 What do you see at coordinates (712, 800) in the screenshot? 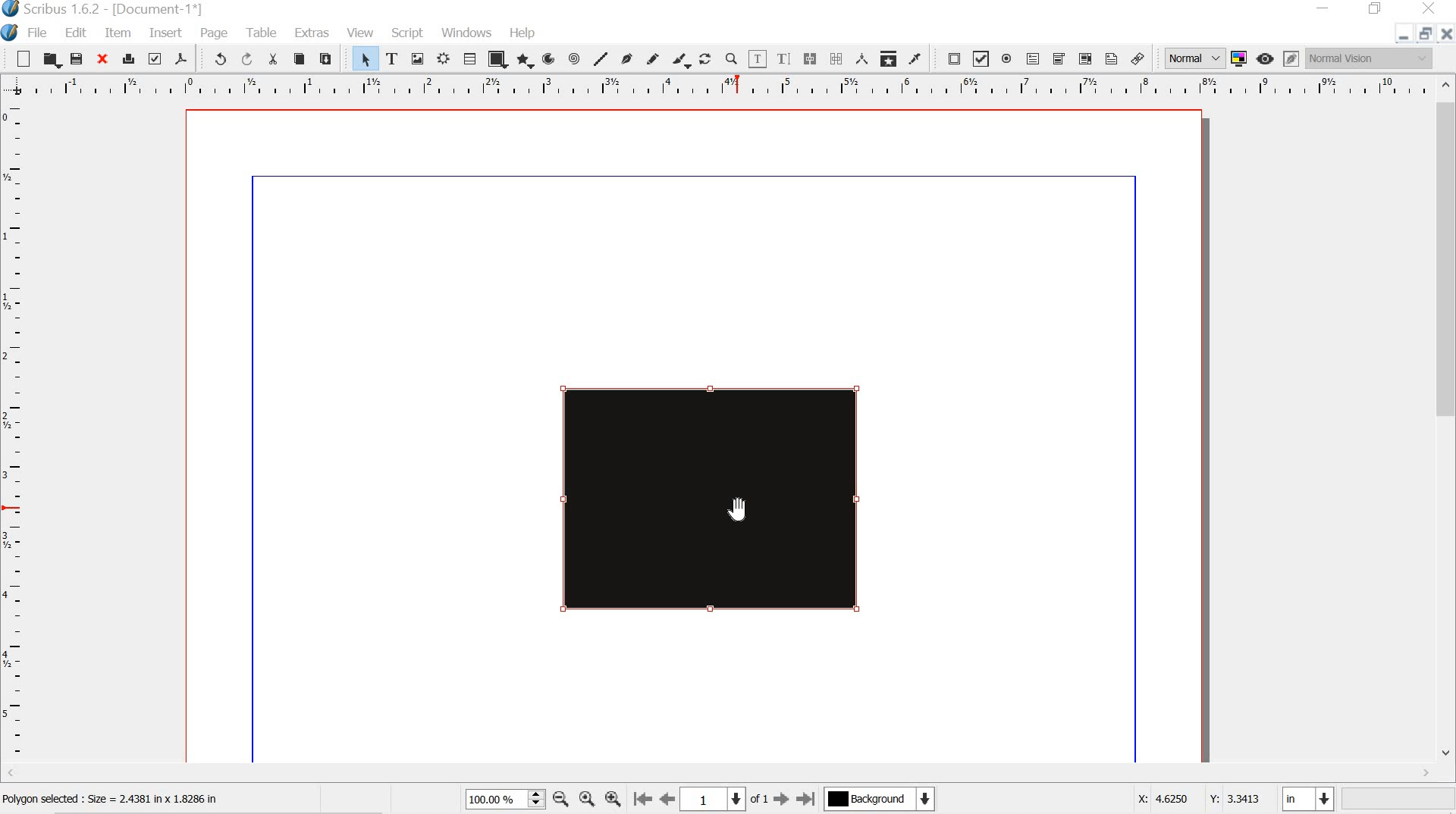
I see `1` at bounding box center [712, 800].